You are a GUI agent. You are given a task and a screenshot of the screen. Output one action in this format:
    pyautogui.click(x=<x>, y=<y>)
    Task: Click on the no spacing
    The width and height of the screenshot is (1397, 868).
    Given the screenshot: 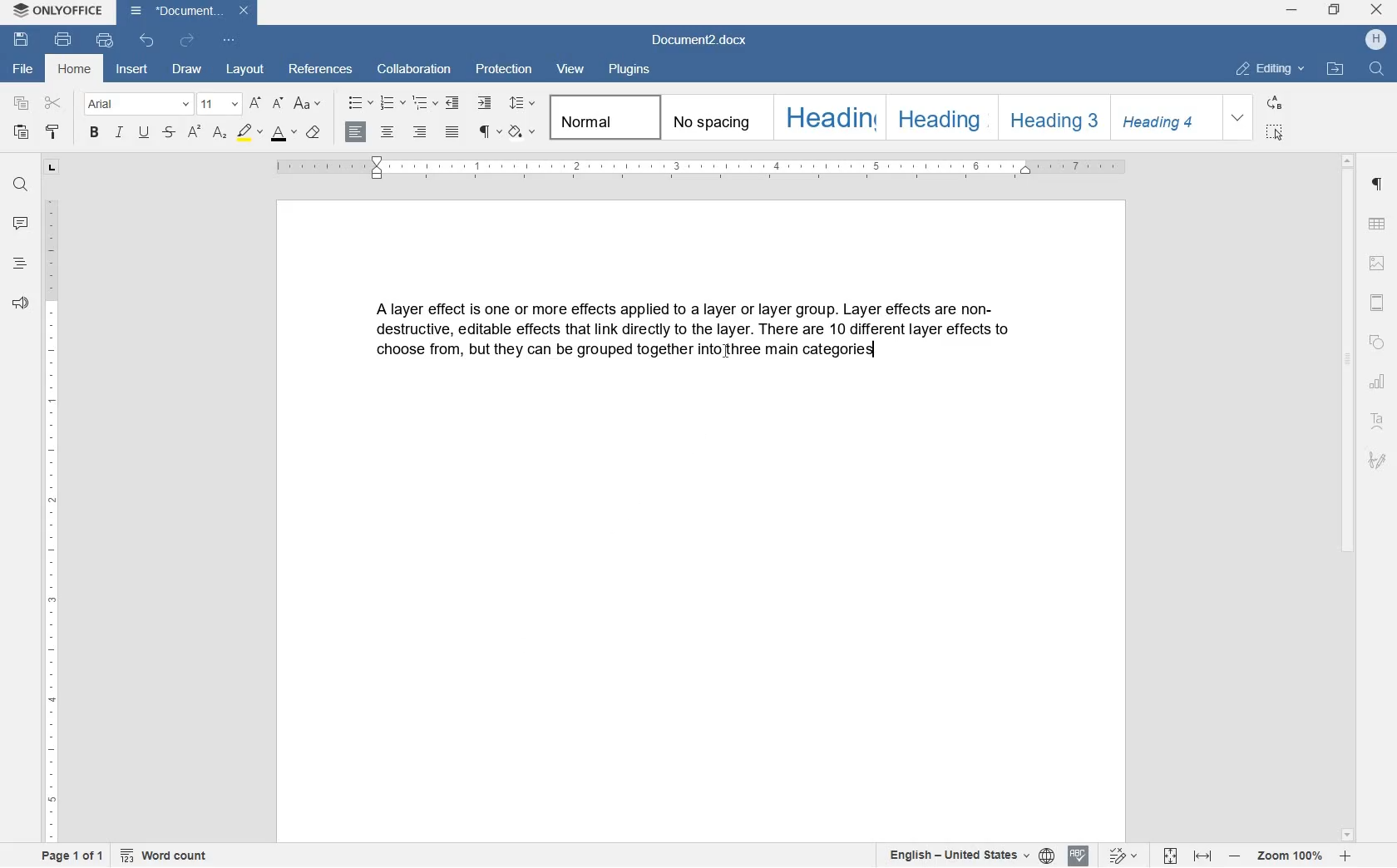 What is the action you would take?
    pyautogui.click(x=713, y=116)
    